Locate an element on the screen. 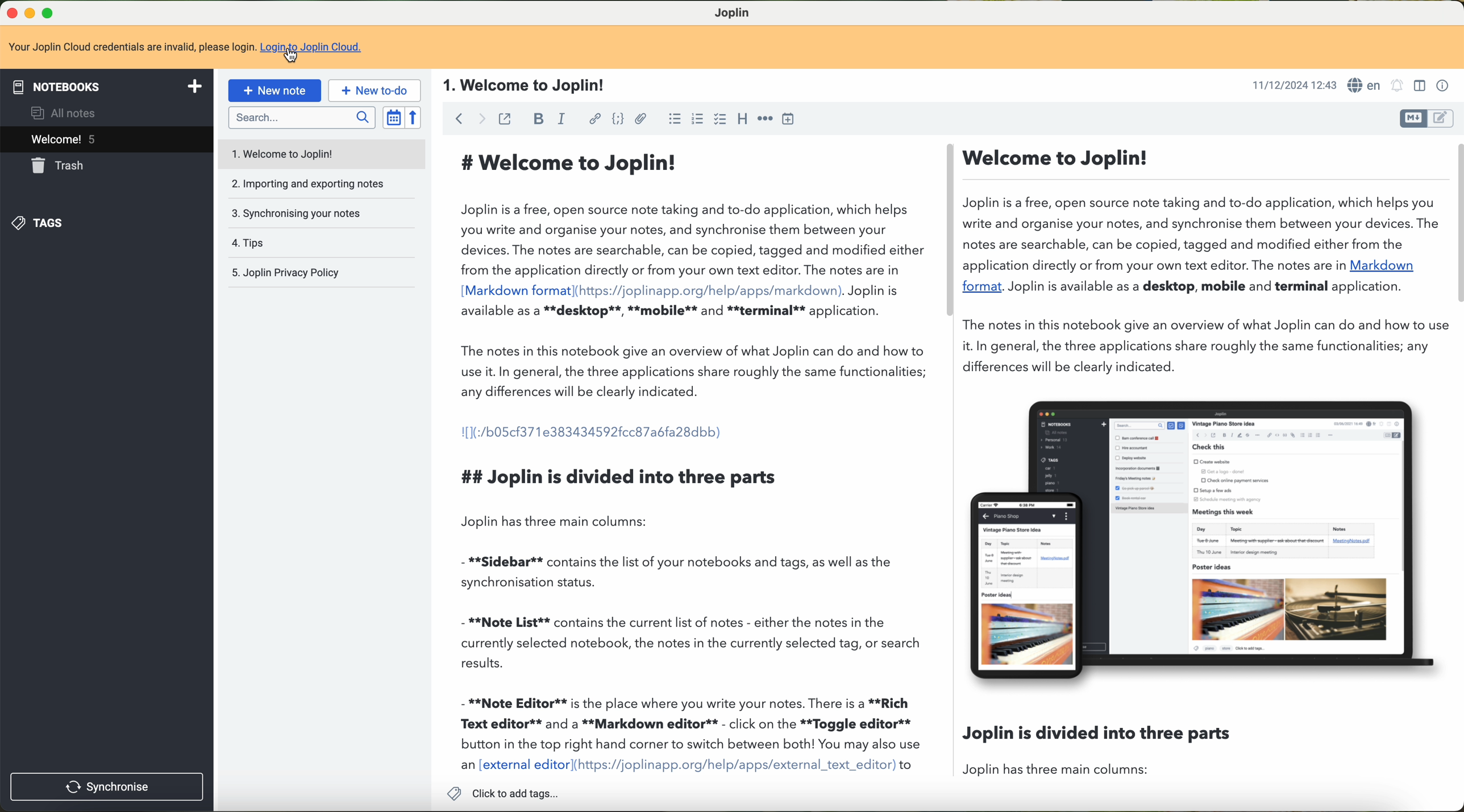  horizontal rule is located at coordinates (765, 117).